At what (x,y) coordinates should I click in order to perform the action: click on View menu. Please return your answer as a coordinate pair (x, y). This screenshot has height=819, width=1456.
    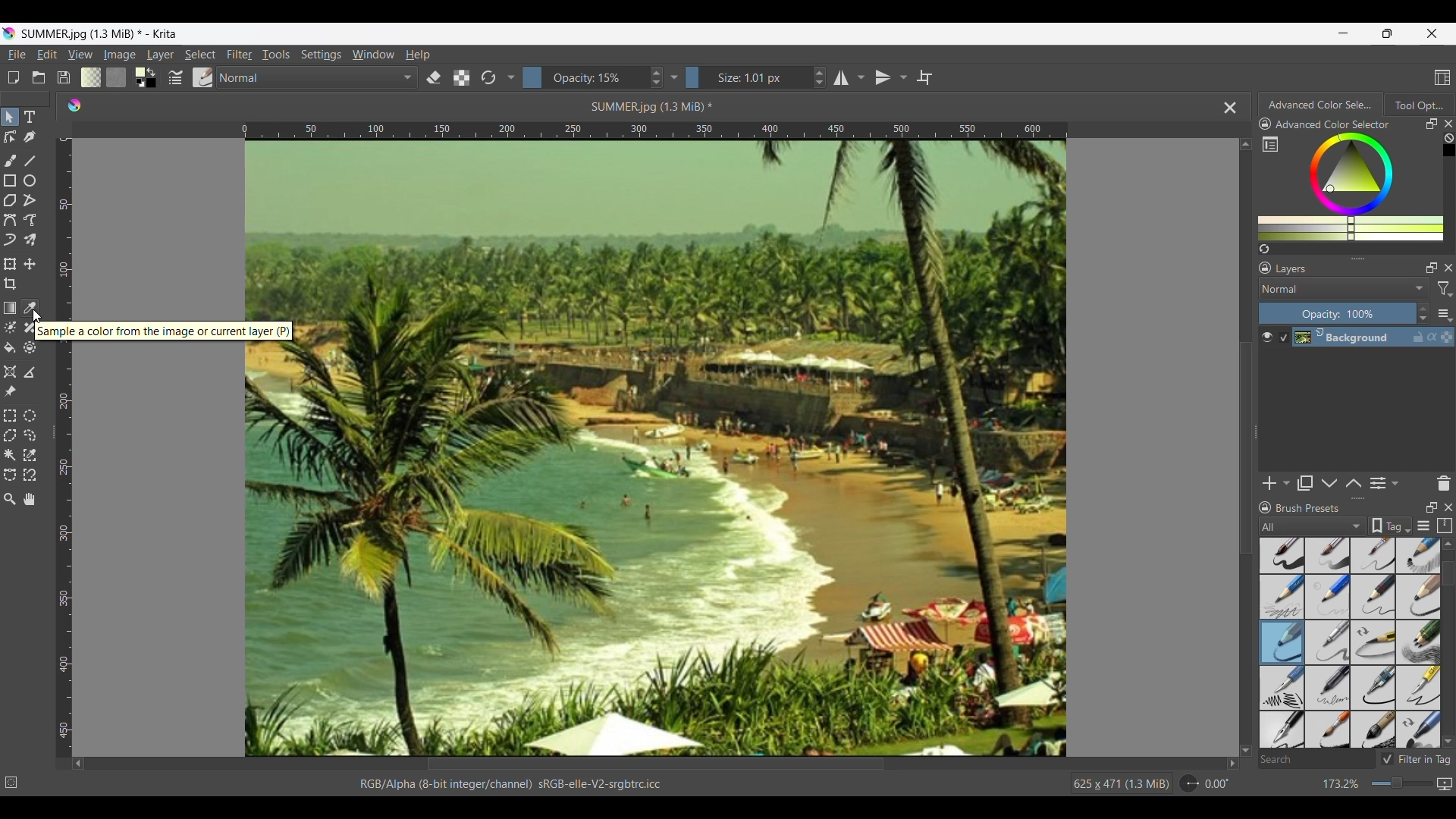
    Looking at the image, I should click on (80, 55).